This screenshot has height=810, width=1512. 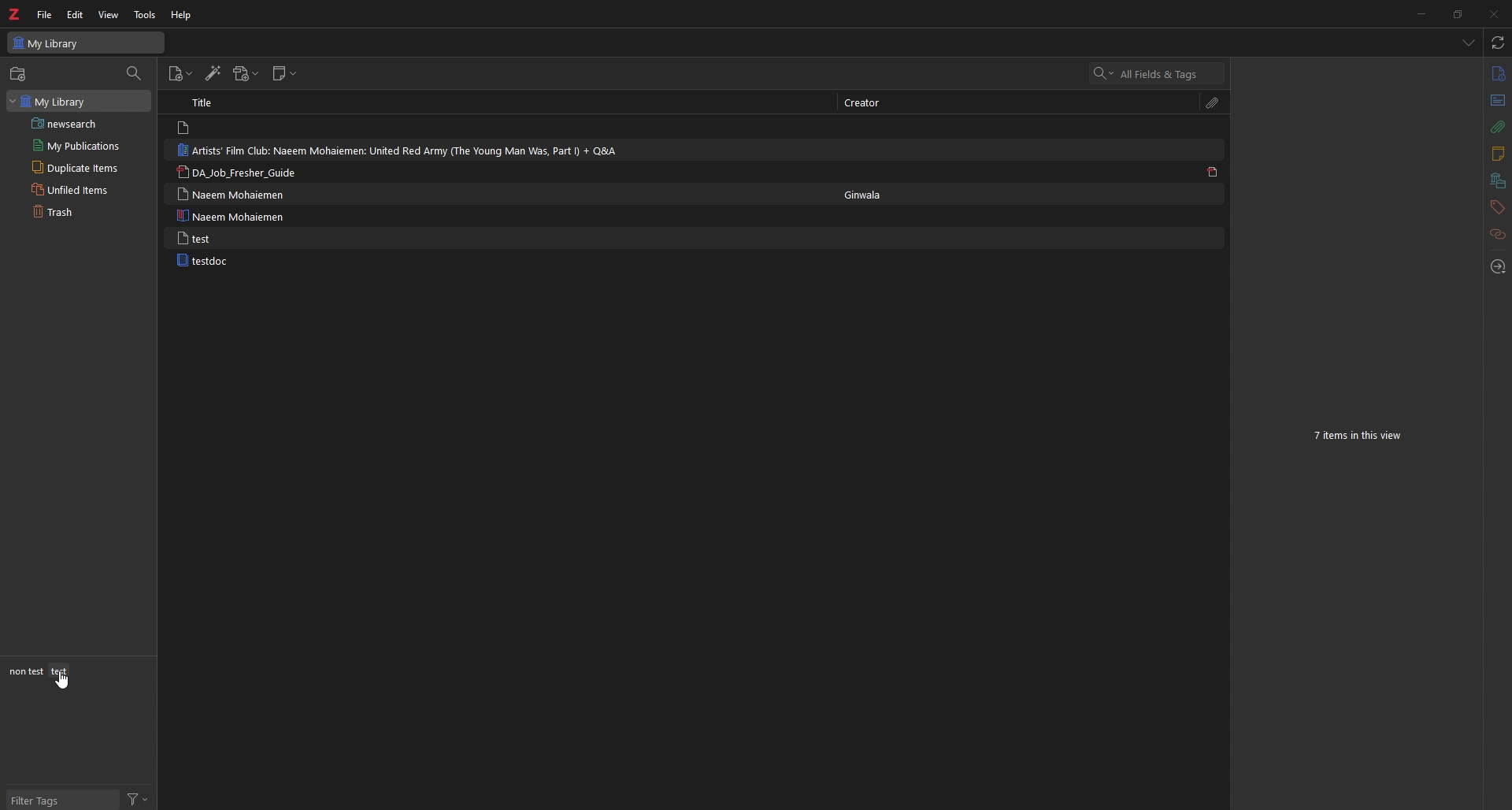 What do you see at coordinates (61, 799) in the screenshot?
I see `filter tags` at bounding box center [61, 799].